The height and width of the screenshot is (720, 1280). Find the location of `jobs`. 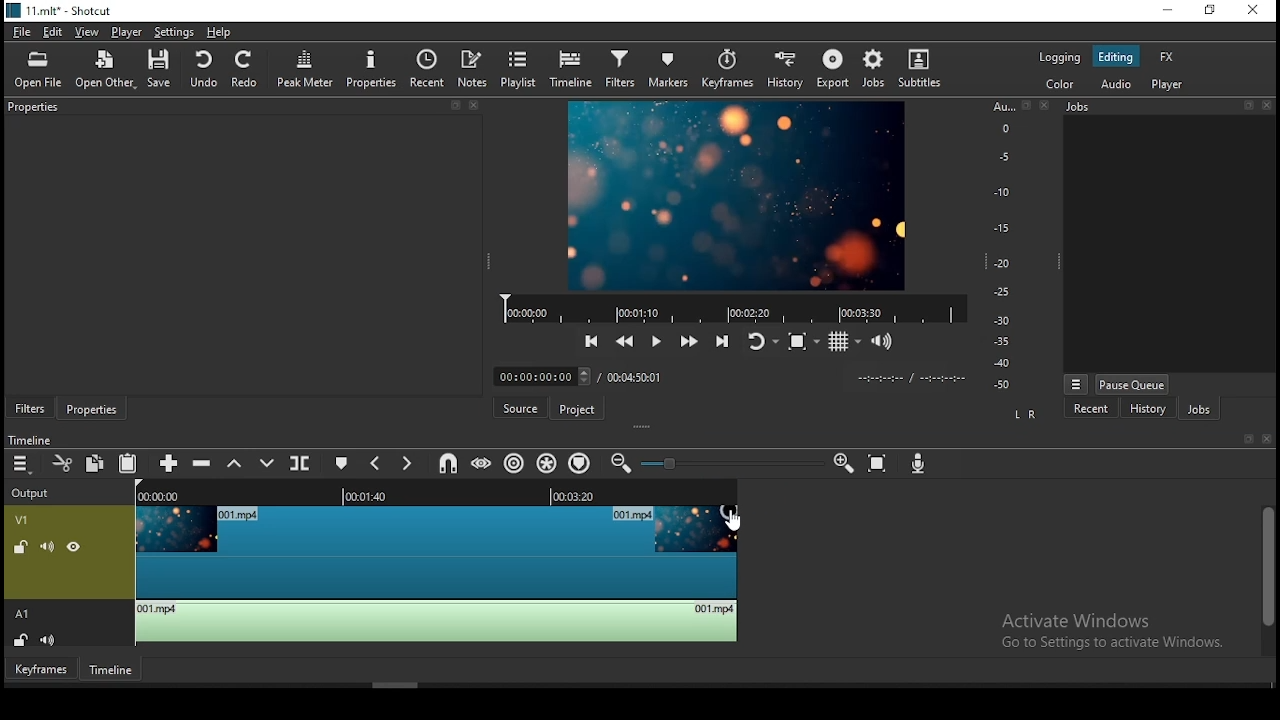

jobs is located at coordinates (1196, 411).